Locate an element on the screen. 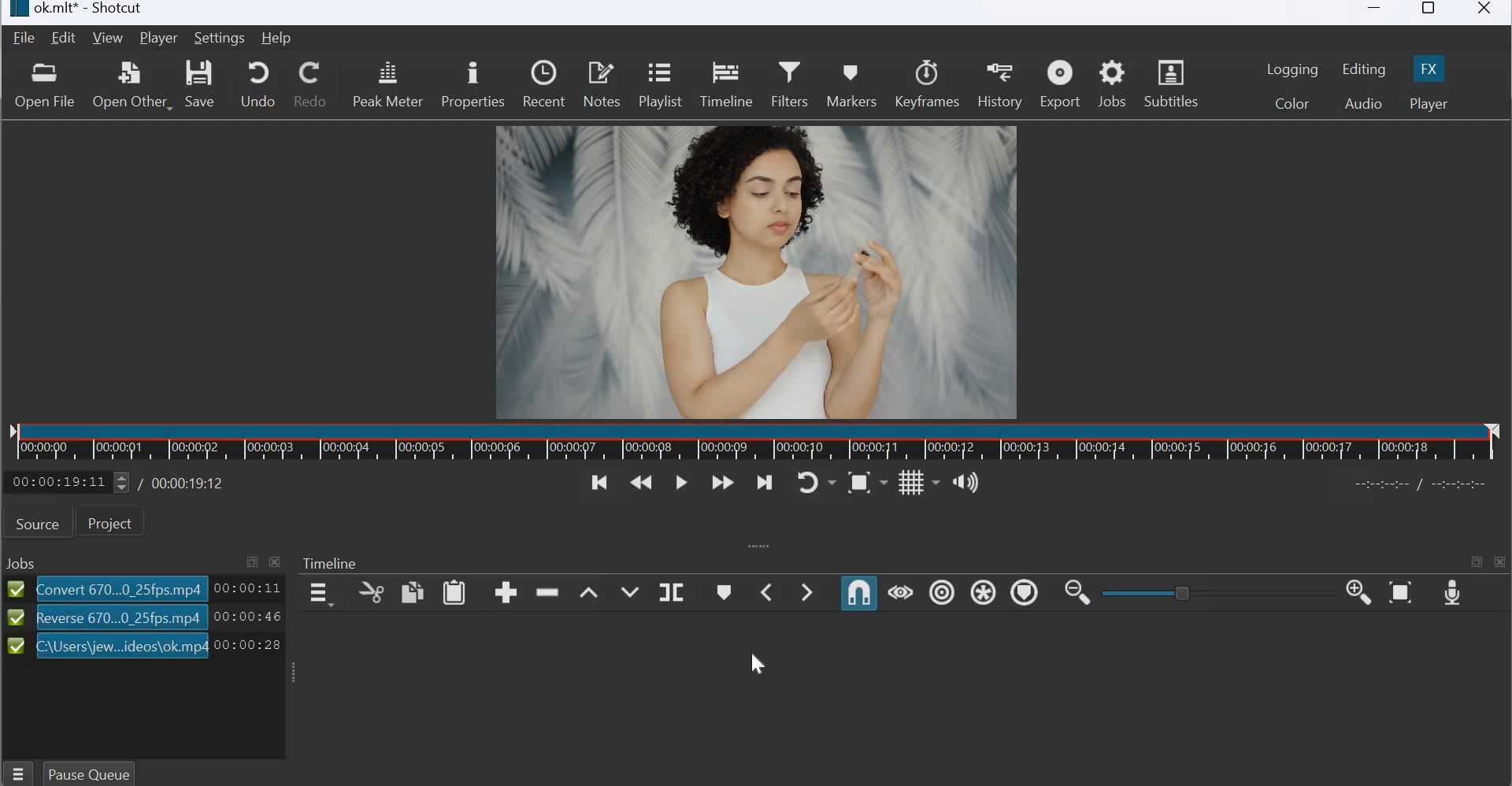 The height and width of the screenshot is (786, 1512). Color is located at coordinates (1293, 103).